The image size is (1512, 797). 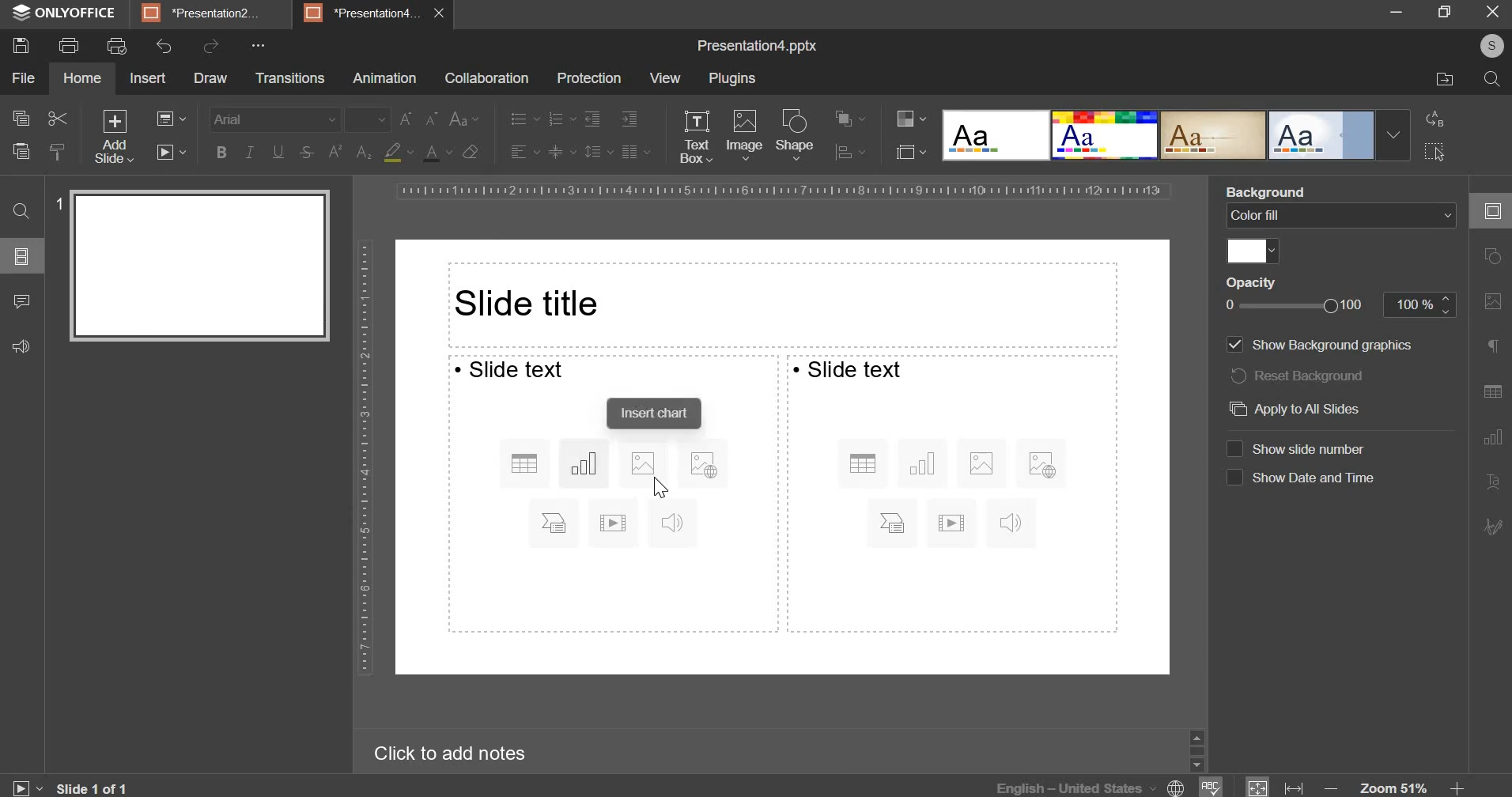 I want to click on slide number, so click(x=55, y=203).